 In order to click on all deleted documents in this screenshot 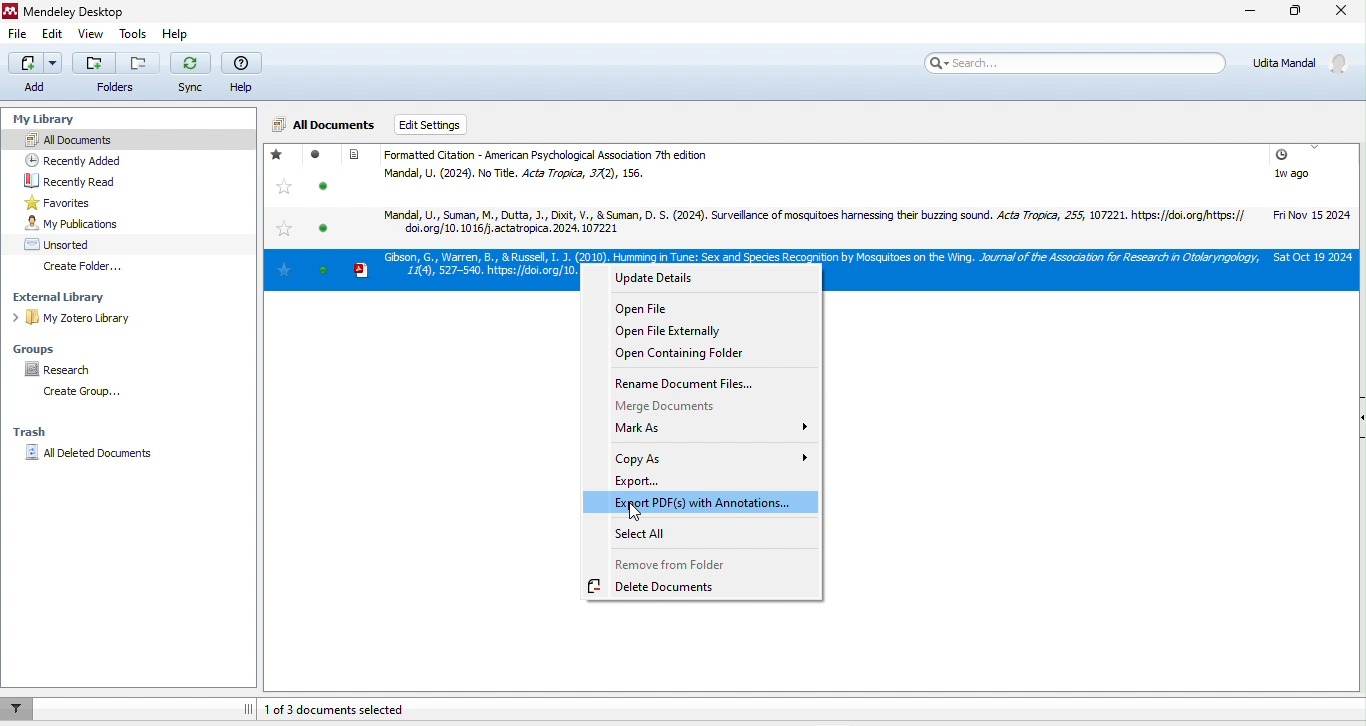, I will do `click(89, 456)`.